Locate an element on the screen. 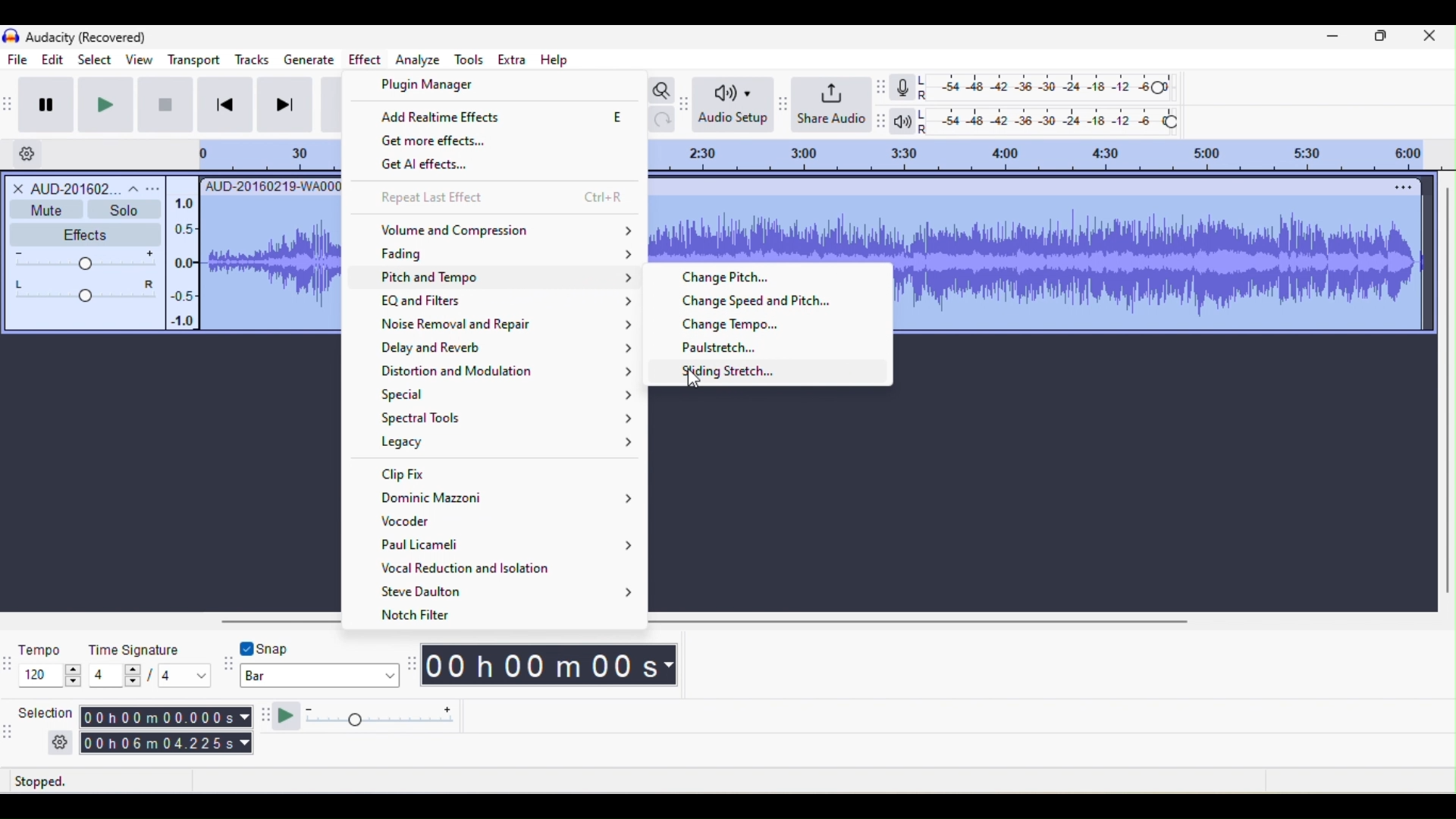  generate is located at coordinates (312, 58).